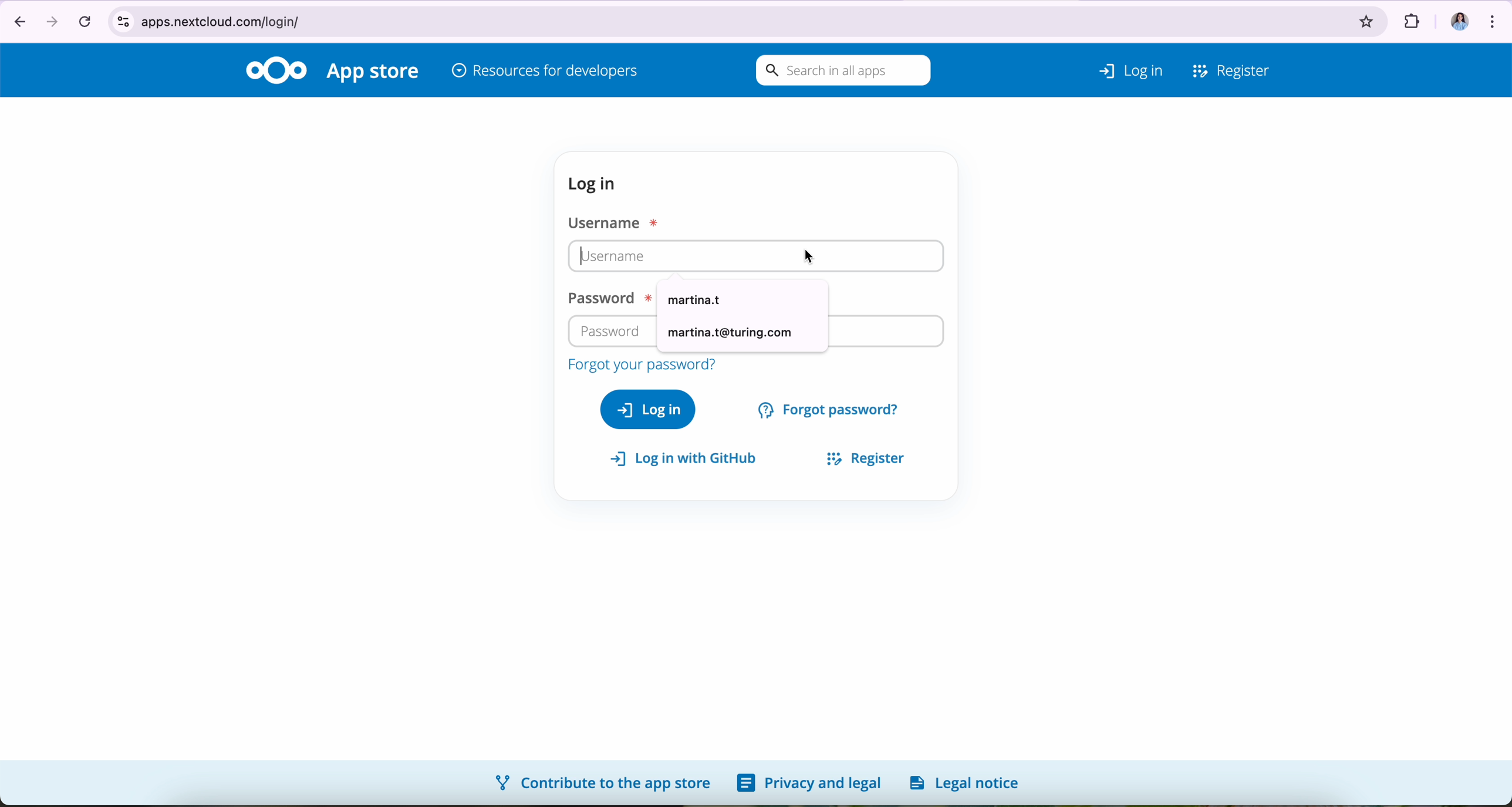 Image resolution: width=1512 pixels, height=807 pixels. I want to click on forgot your password, so click(640, 365).